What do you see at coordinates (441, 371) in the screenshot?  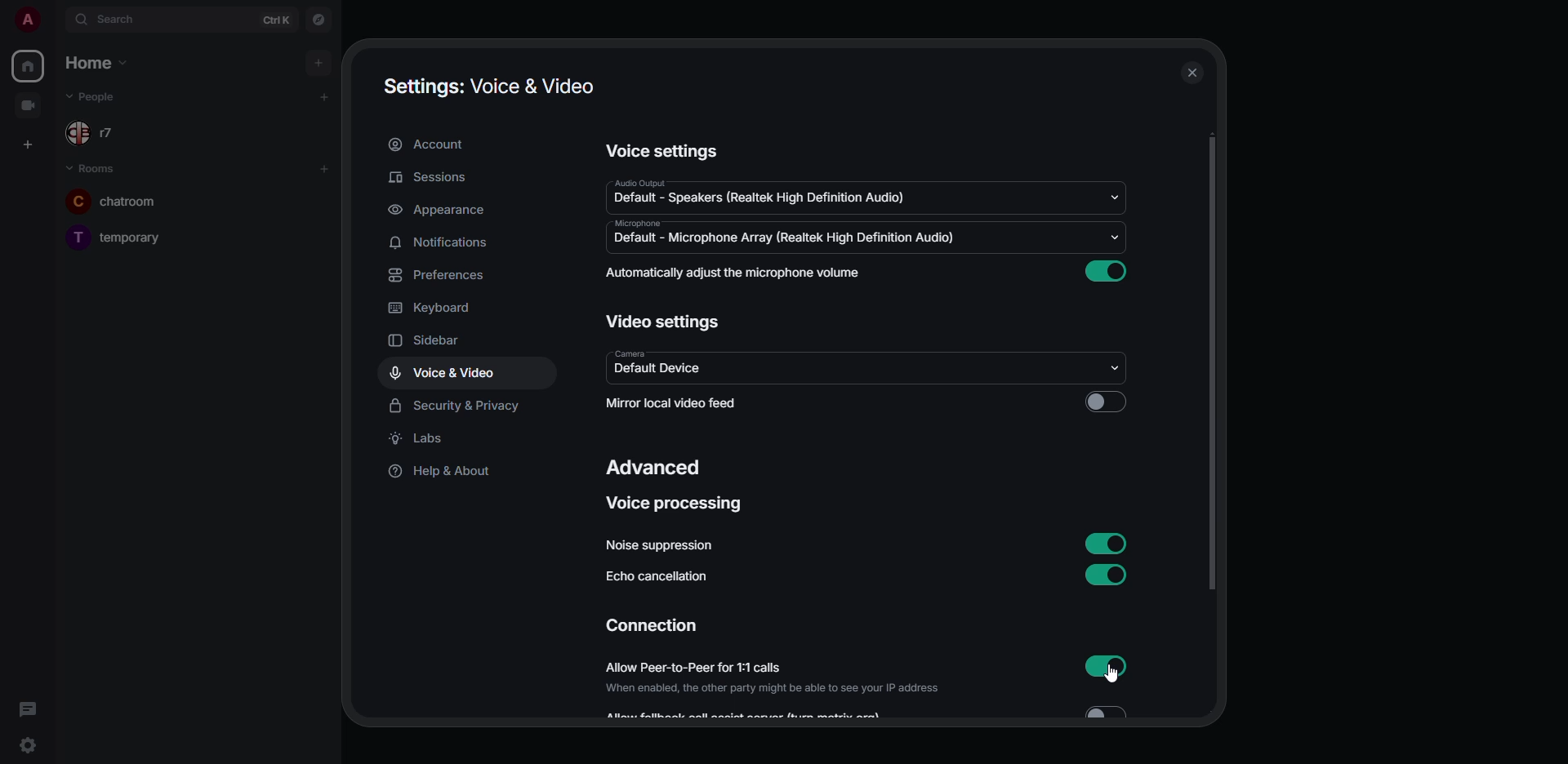 I see `voice & video` at bounding box center [441, 371].